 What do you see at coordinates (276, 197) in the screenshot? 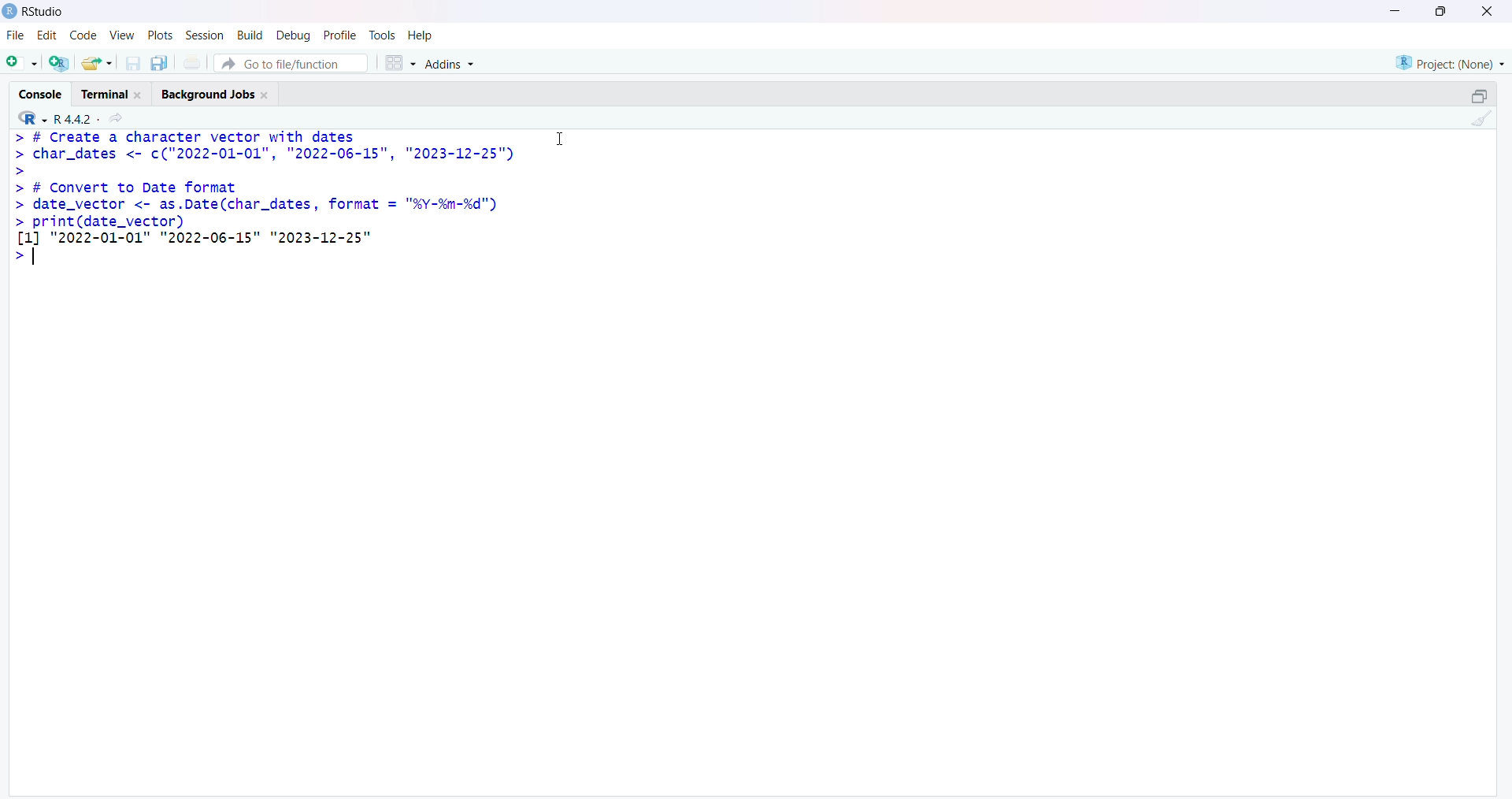
I see `> # Create a character vector with dates

> char_dates <- c("2022-01-01", "2022-06-15", "2023-12-25")
>

> # Convert to Date format

> date_vector <- as.Date(char_dates, format = "%Y-%m-%d")
> print(date_vector)

mw "2022-01-01" "2022-06-15" "2023-12-25"

>` at bounding box center [276, 197].